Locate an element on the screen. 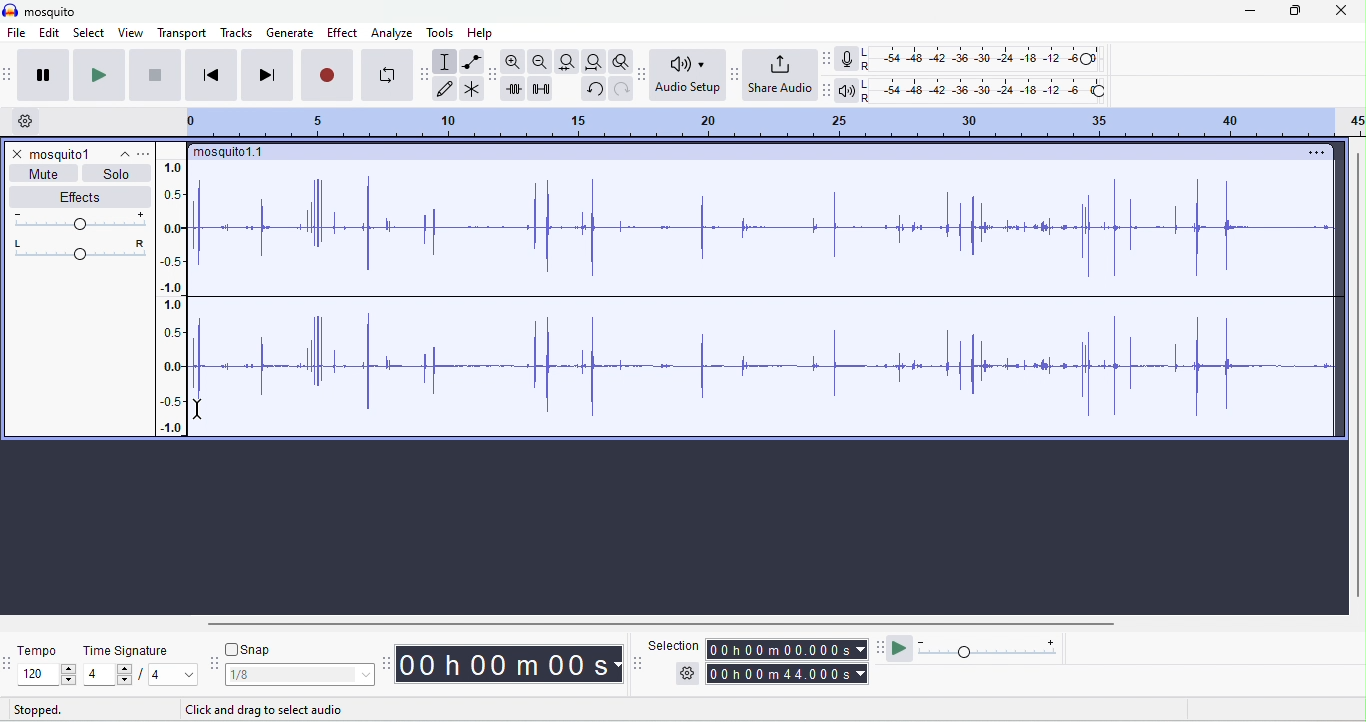  time signature is located at coordinates (127, 650).